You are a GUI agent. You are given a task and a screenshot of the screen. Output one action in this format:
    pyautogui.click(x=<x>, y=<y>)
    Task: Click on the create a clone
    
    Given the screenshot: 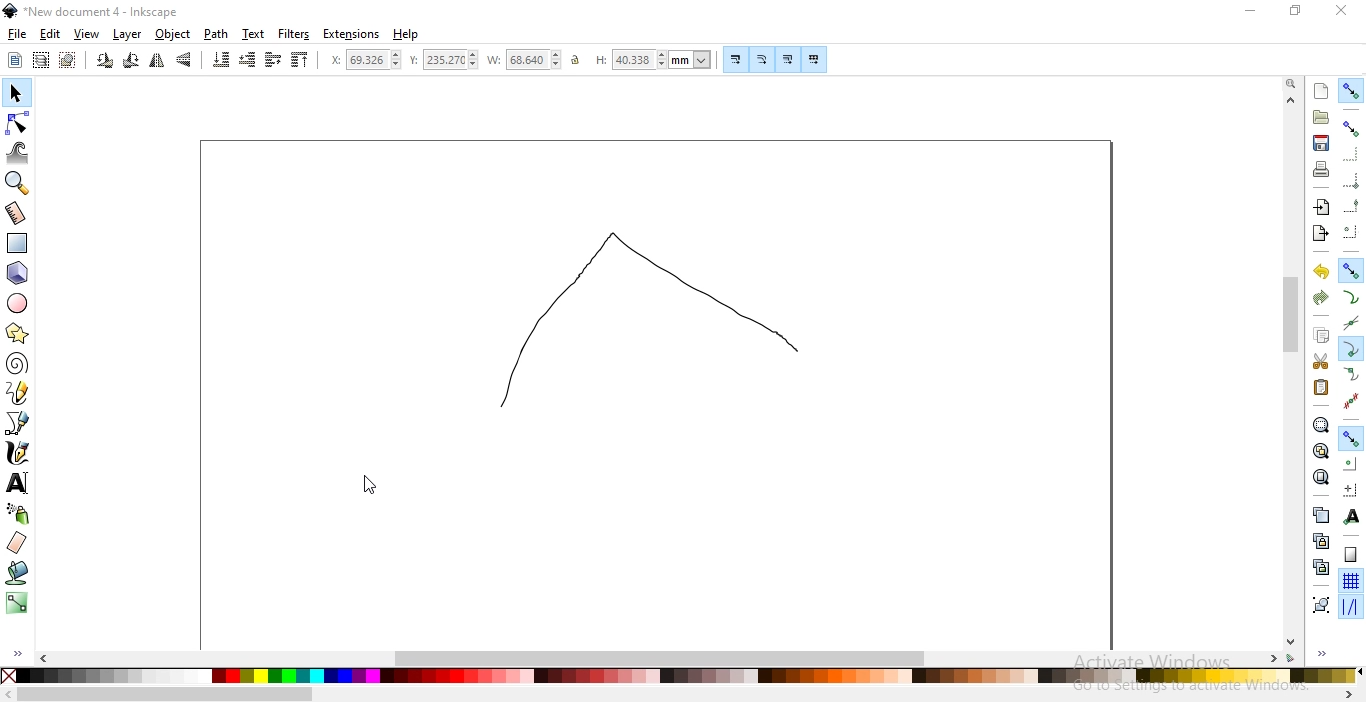 What is the action you would take?
    pyautogui.click(x=1320, y=540)
    